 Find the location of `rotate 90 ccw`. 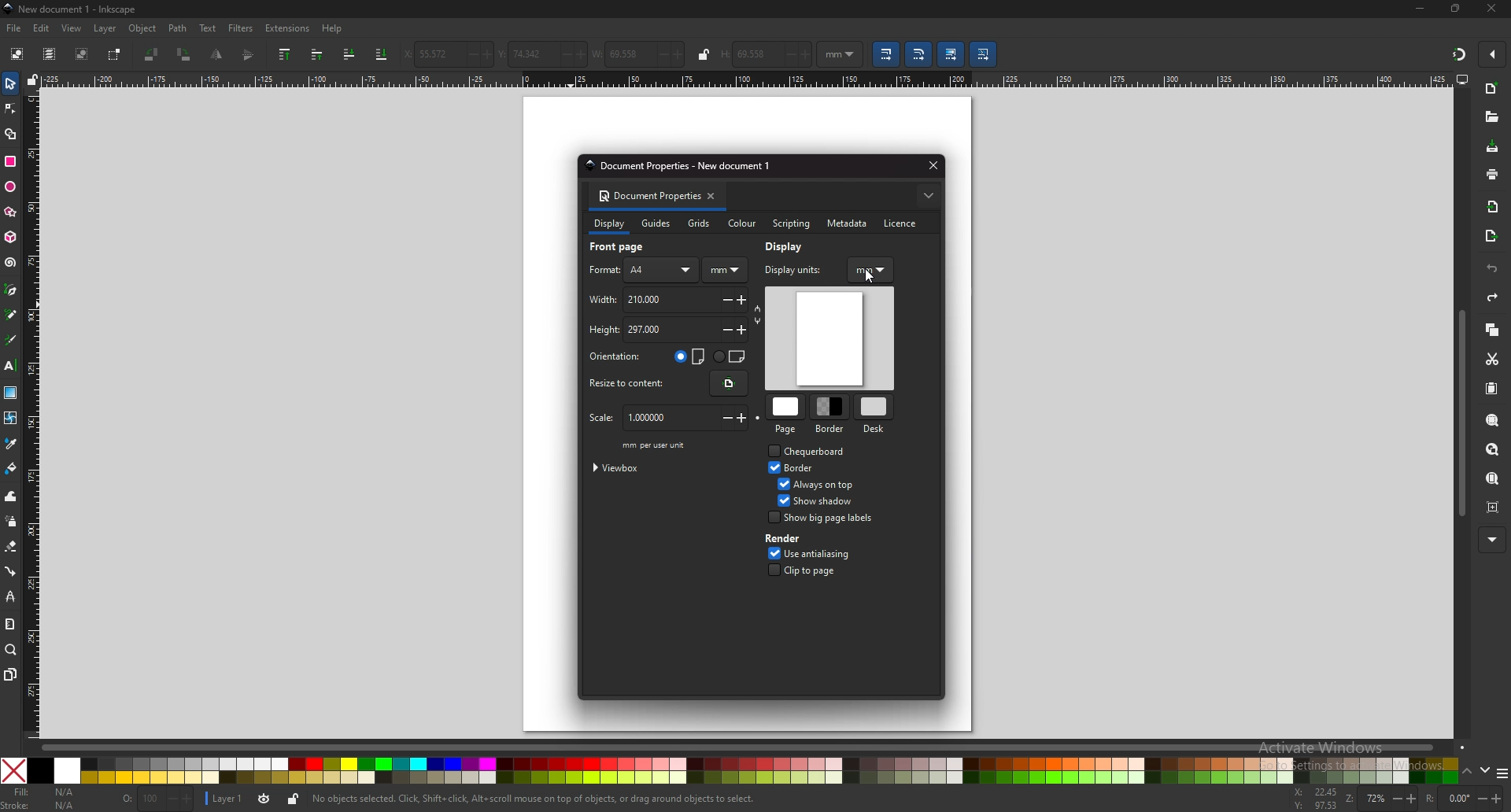

rotate 90 ccw is located at coordinates (153, 54).